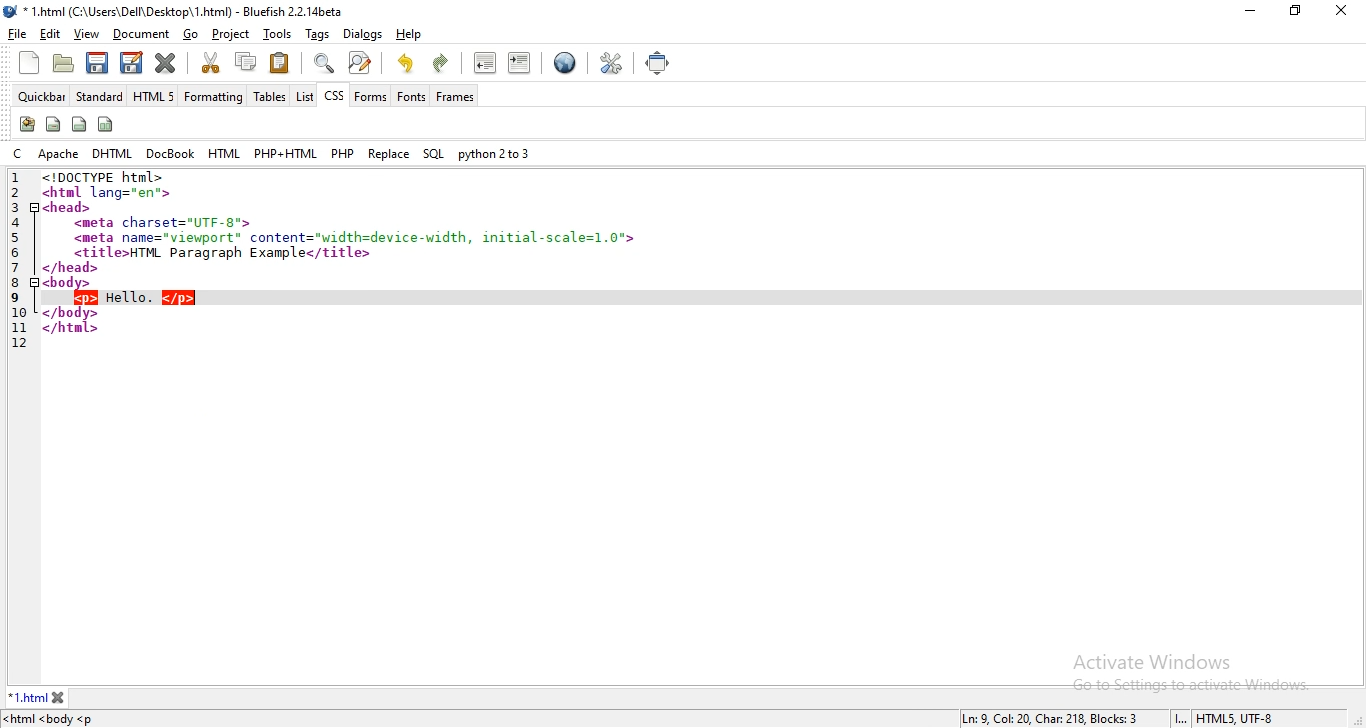 The width and height of the screenshot is (1366, 728). I want to click on create stylesheet, so click(26, 125).